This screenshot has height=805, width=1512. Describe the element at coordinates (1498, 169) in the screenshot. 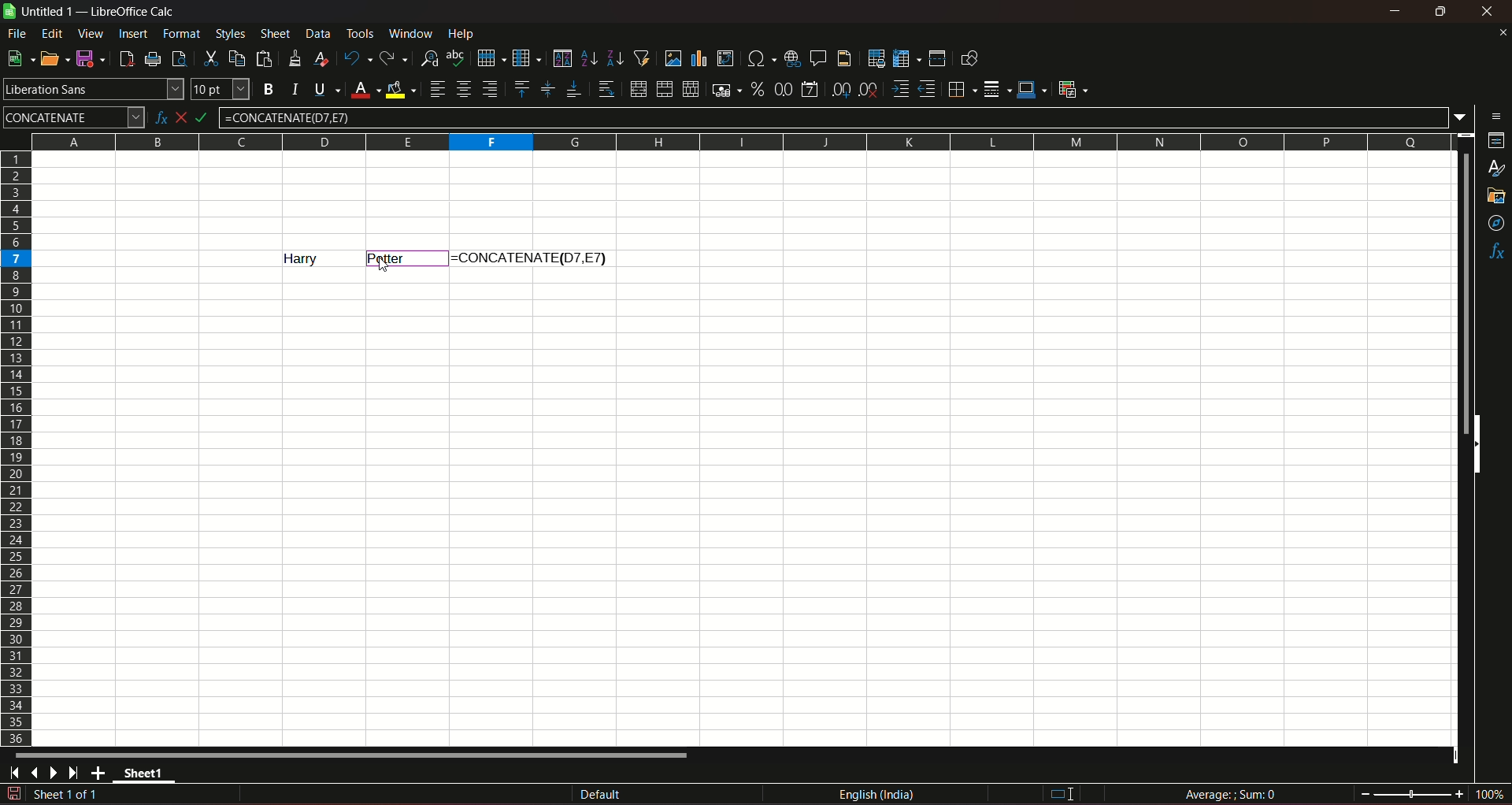

I see `styles` at that location.